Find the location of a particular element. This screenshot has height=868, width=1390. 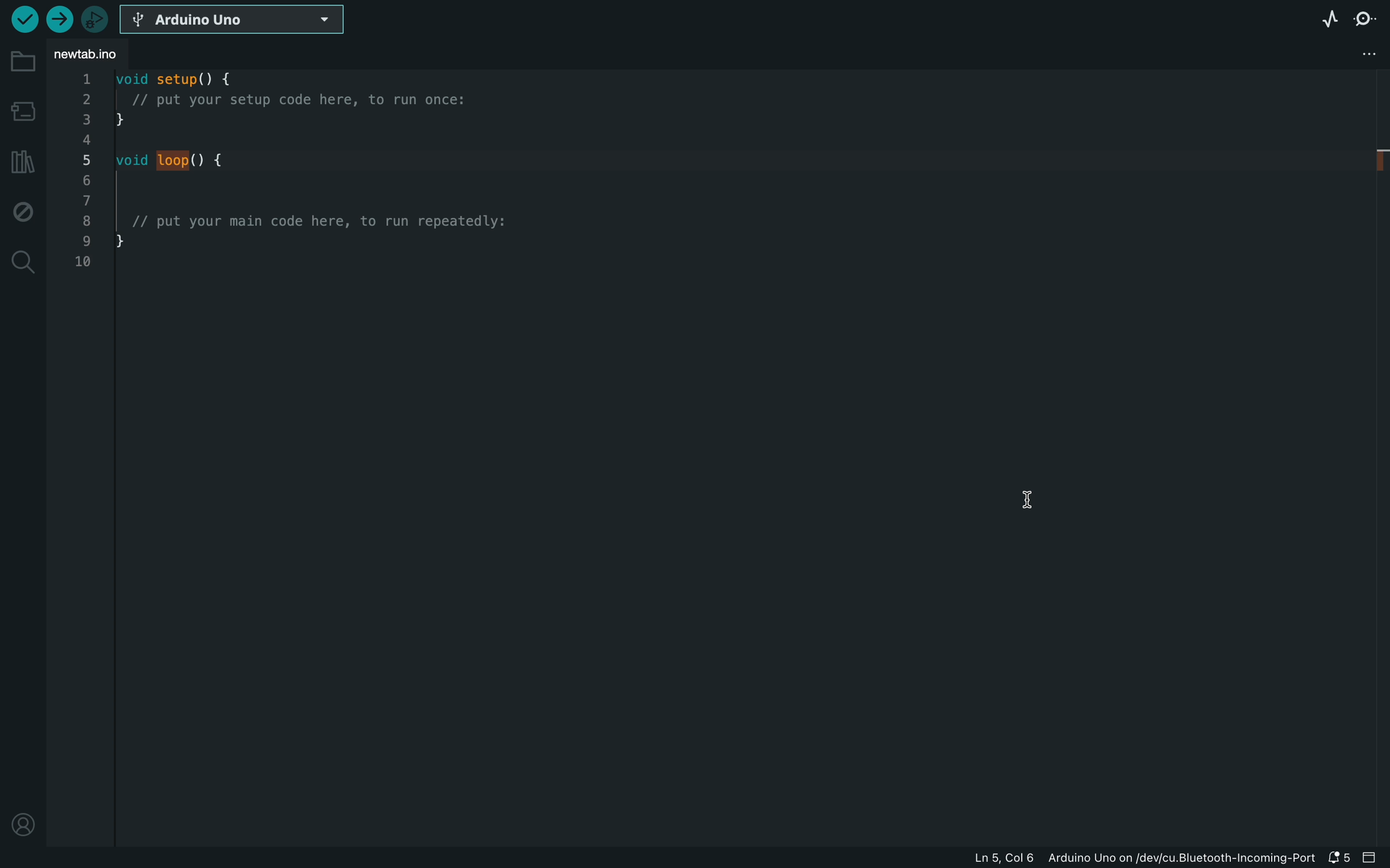

profile is located at coordinates (23, 826).